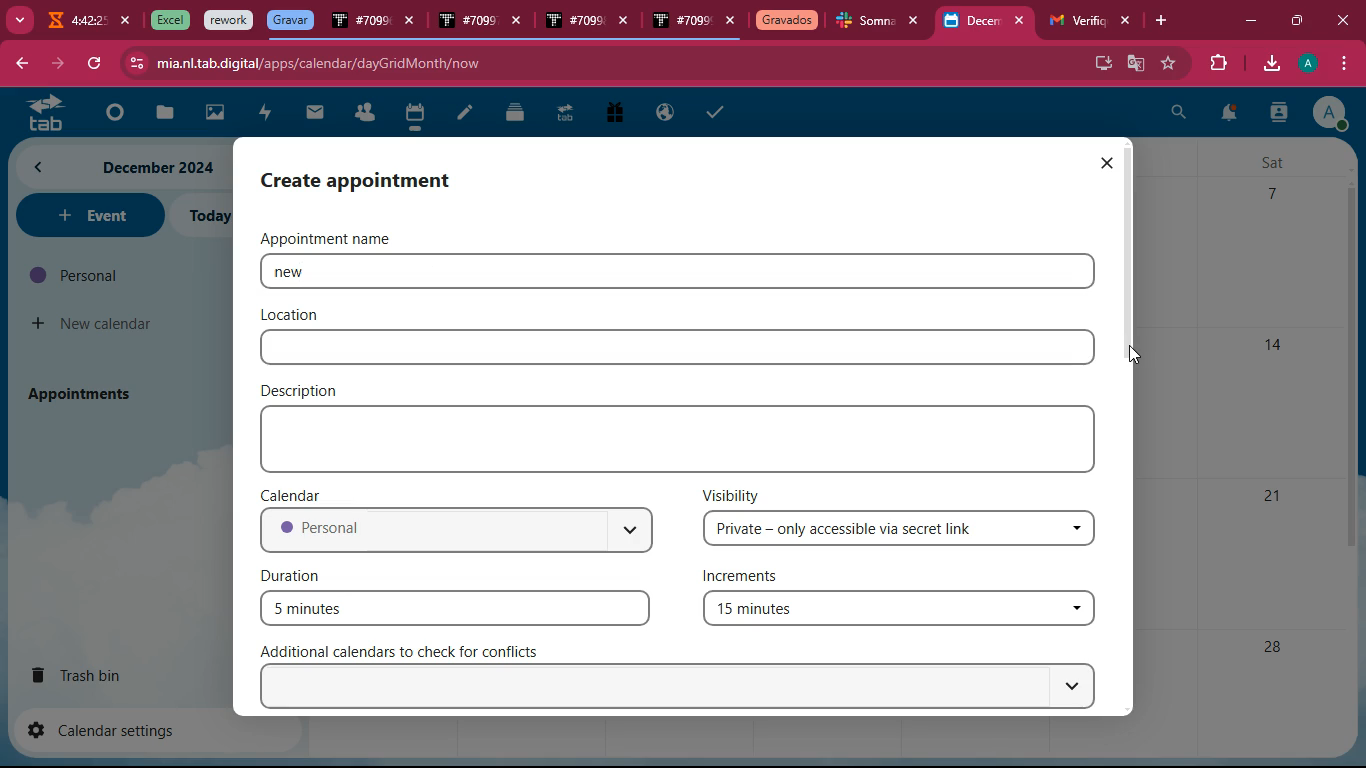 The height and width of the screenshot is (768, 1366). Describe the element at coordinates (1100, 61) in the screenshot. I see `desktop` at that location.